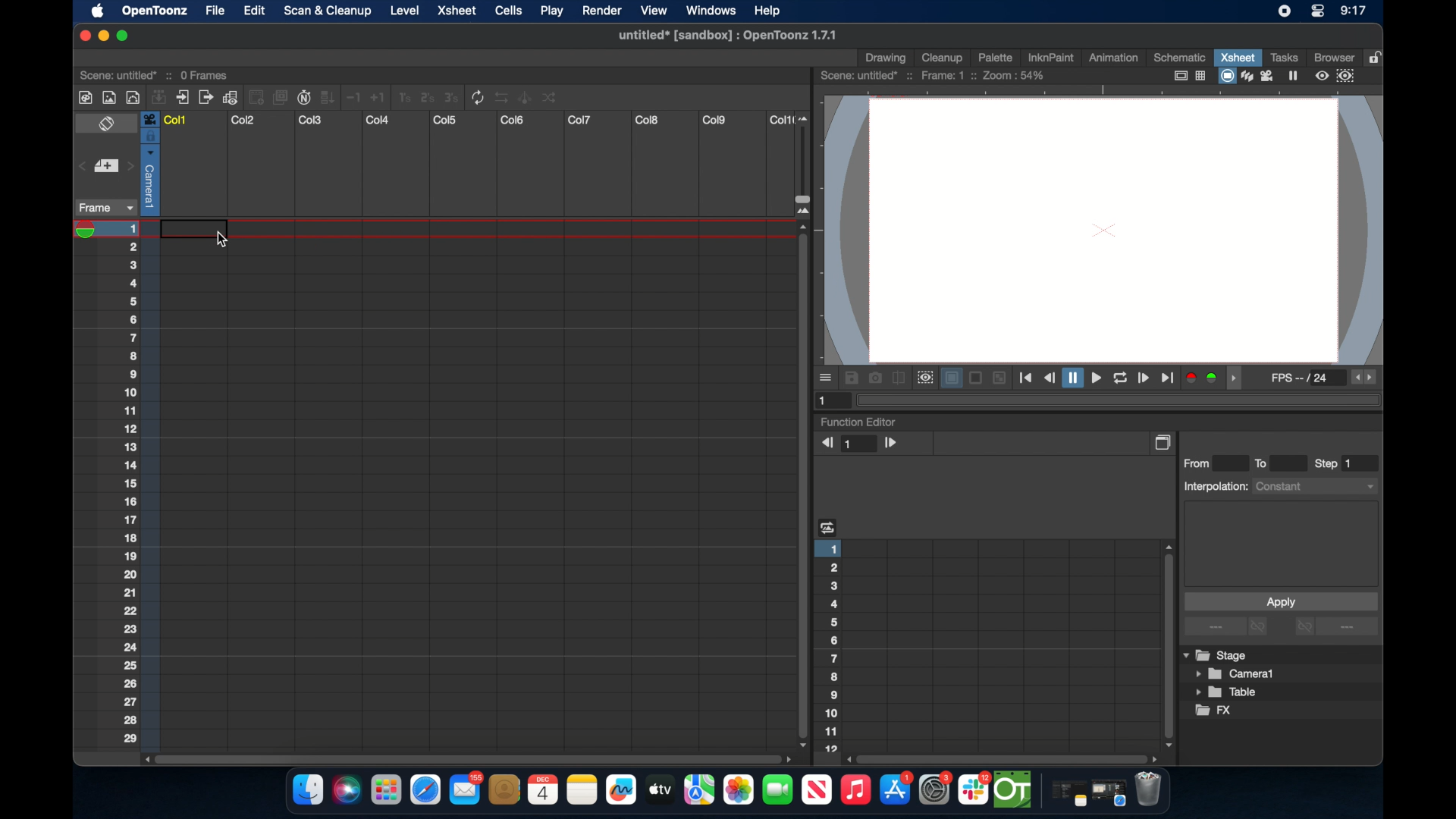 This screenshot has height=819, width=1456. Describe the element at coordinates (1283, 57) in the screenshot. I see `tasks` at that location.